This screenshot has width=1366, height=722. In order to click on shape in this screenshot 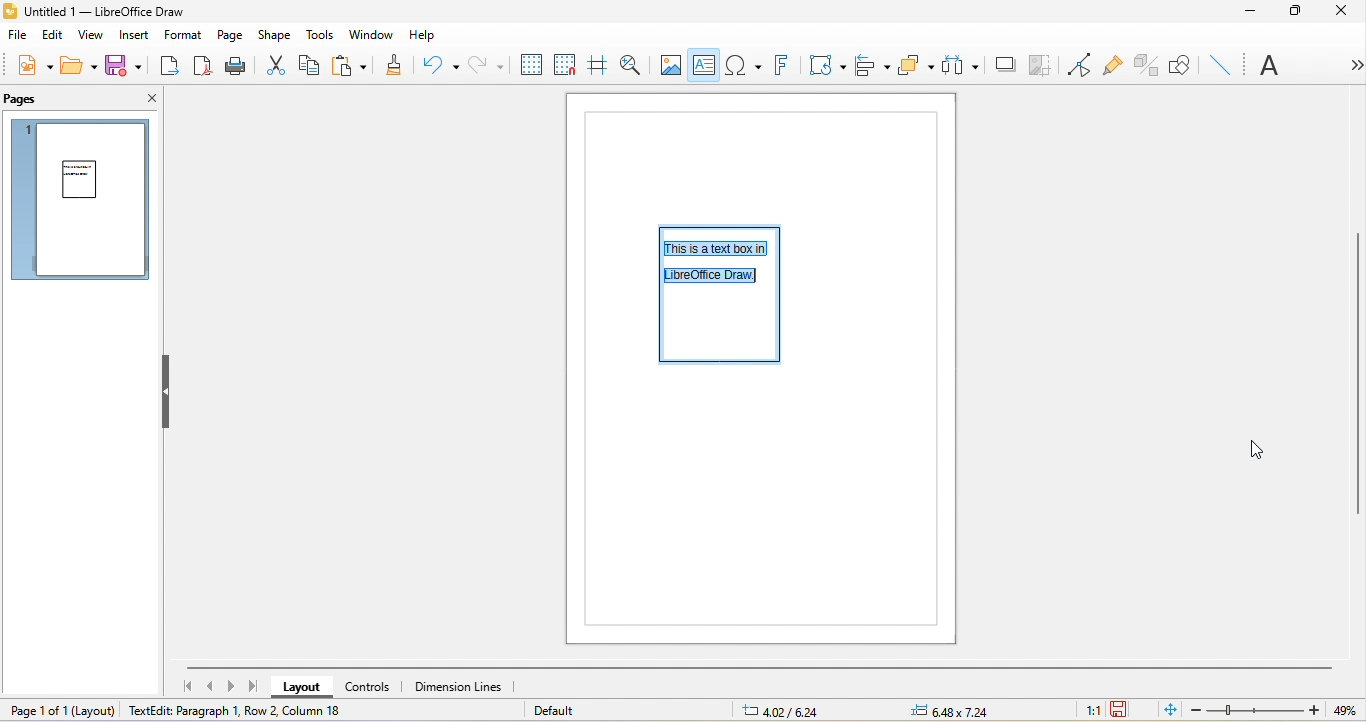, I will do `click(274, 36)`.